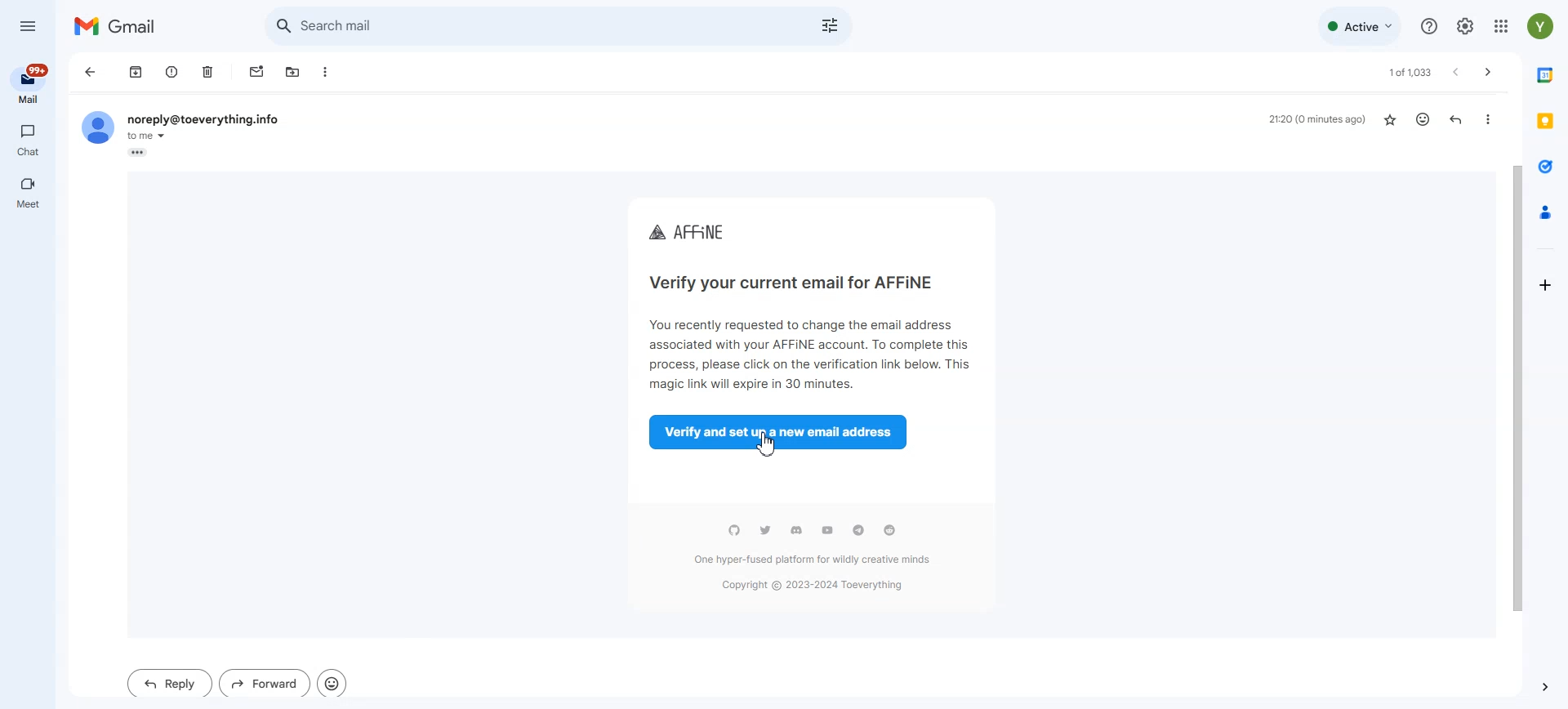 The image size is (1568, 709). I want to click on Delete mail, so click(208, 73).